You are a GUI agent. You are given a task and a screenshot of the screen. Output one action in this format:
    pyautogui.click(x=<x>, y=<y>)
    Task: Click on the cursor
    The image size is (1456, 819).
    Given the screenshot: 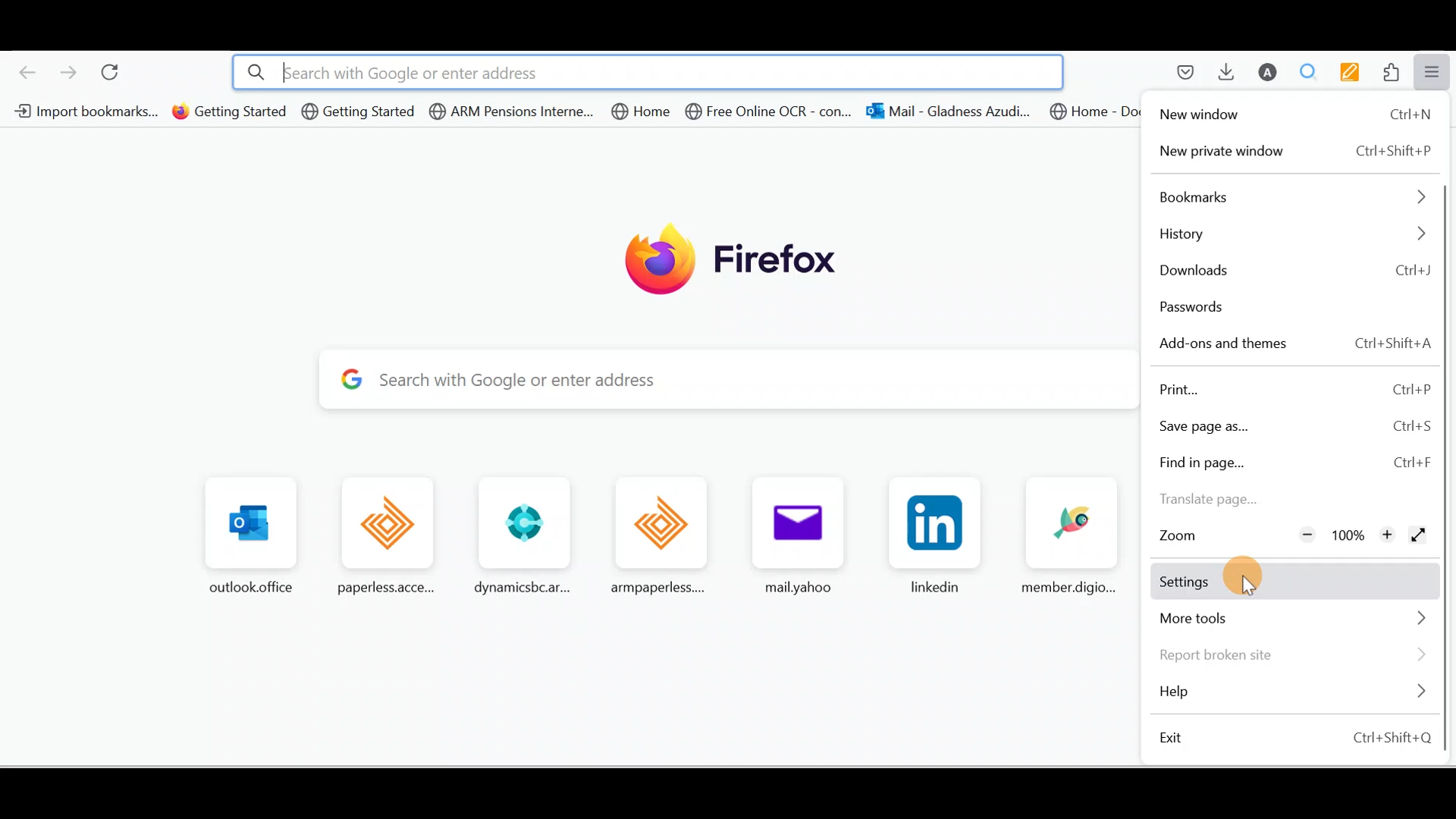 What is the action you would take?
    pyautogui.click(x=1250, y=588)
    